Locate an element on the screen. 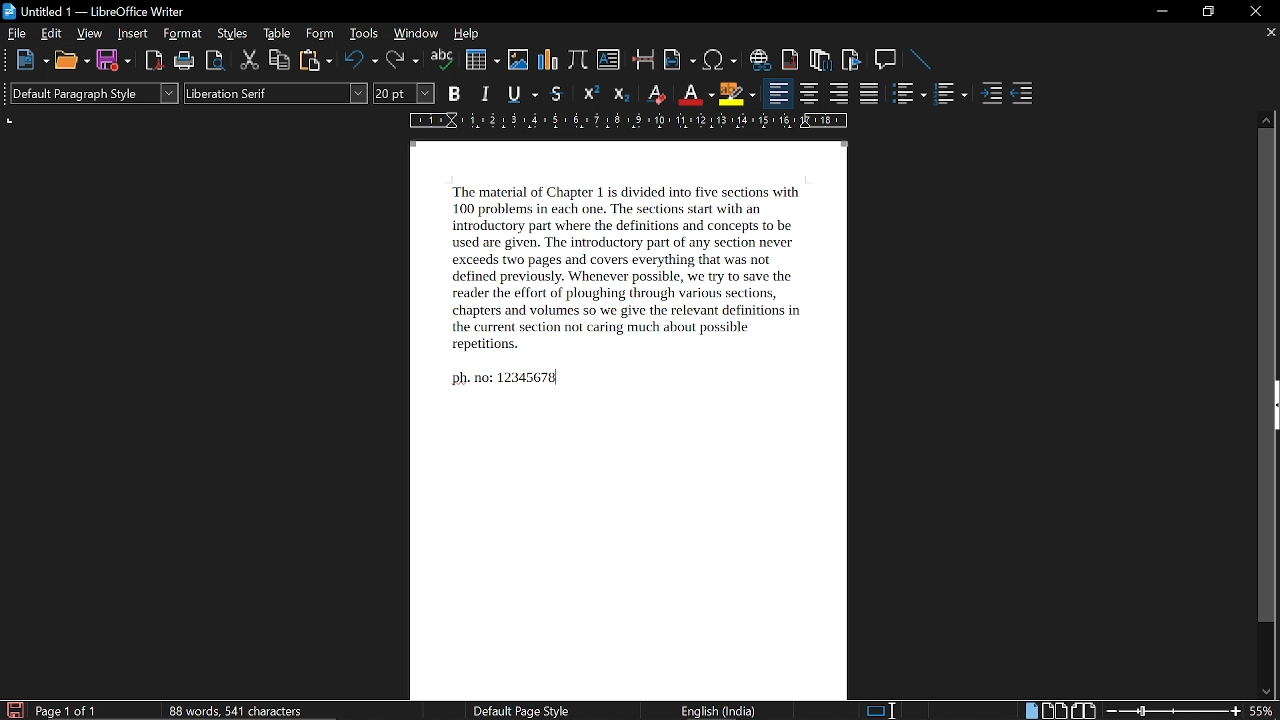  form is located at coordinates (322, 35).